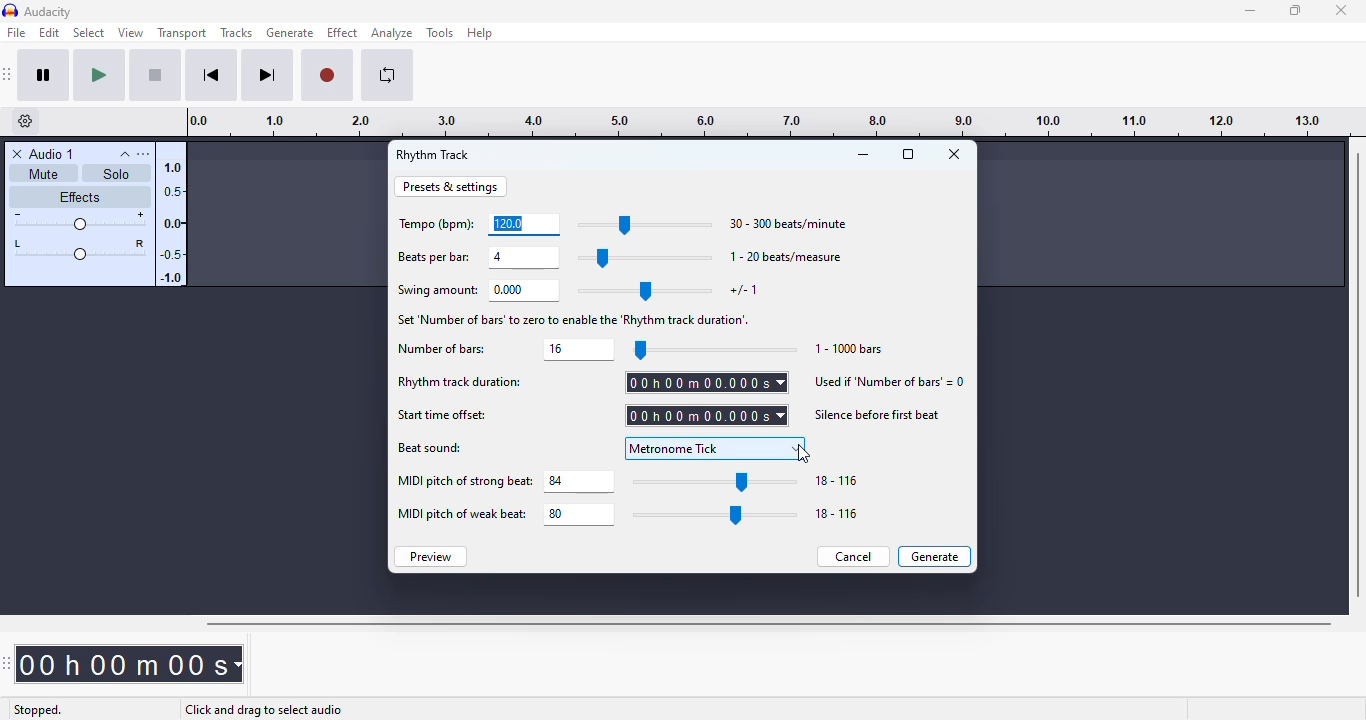 The image size is (1366, 720). I want to click on horizontal scroll bar, so click(768, 624).